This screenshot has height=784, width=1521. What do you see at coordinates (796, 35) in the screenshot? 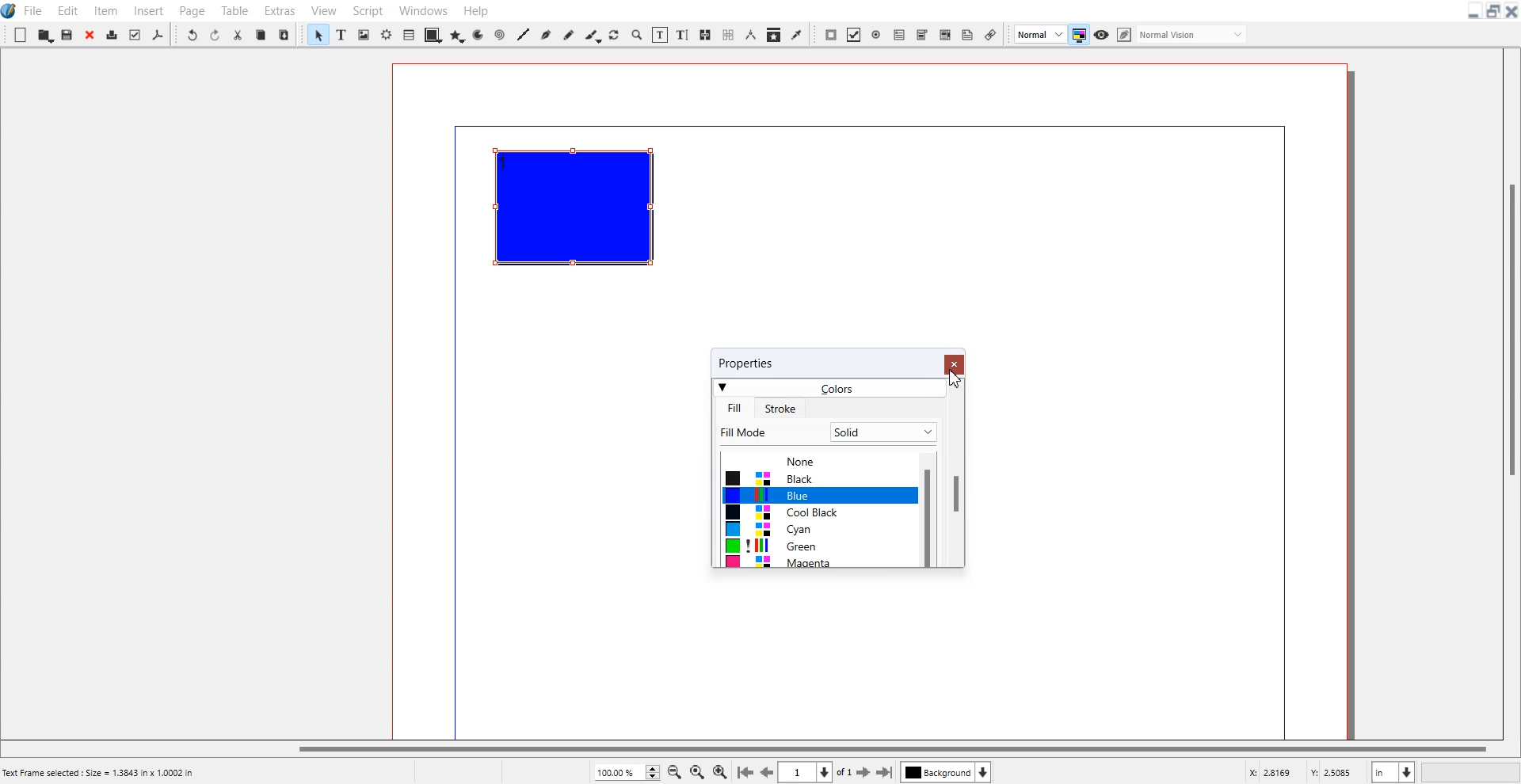
I see `Eye Dropper` at bounding box center [796, 35].